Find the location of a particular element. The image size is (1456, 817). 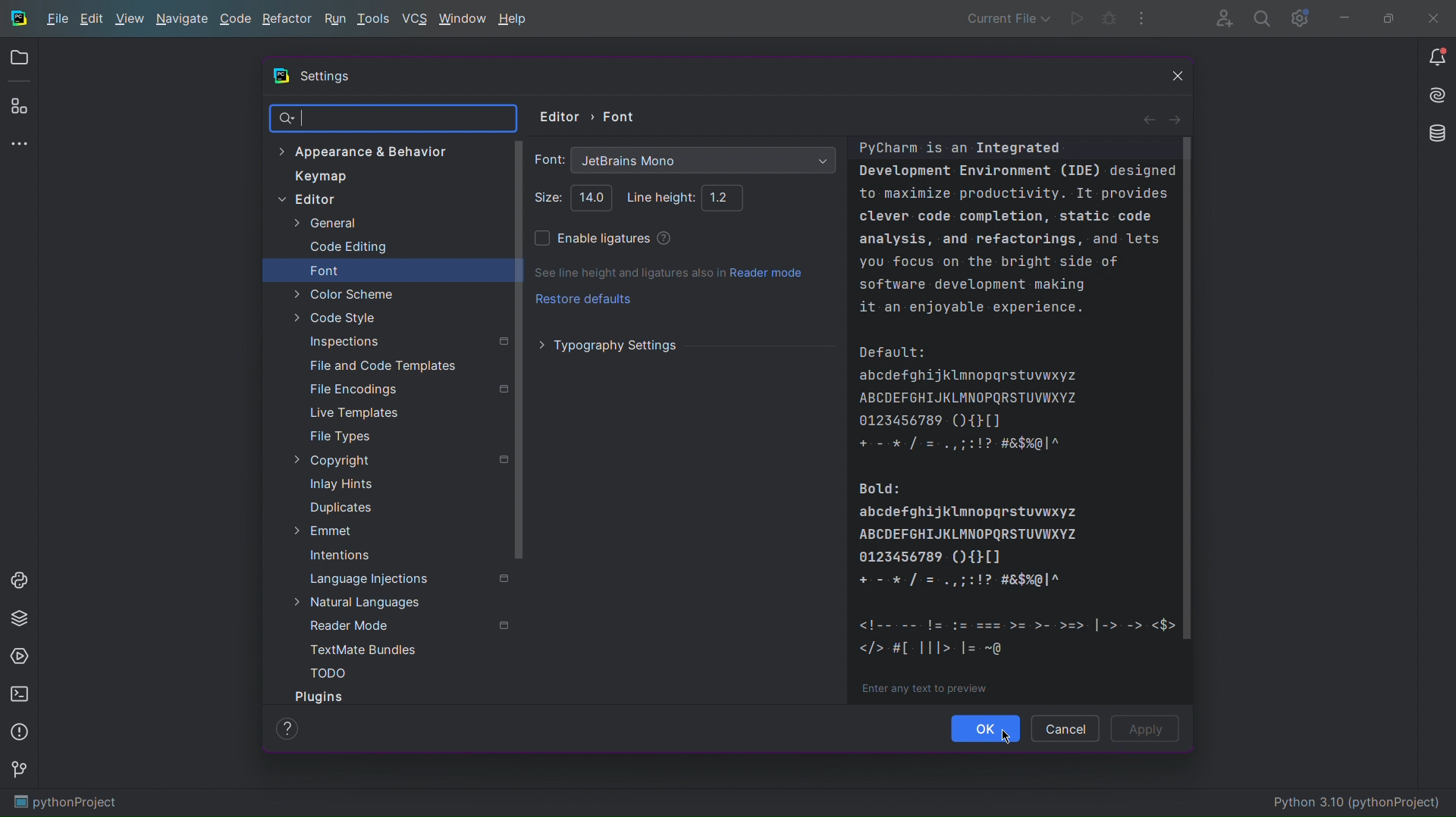

Navigate is located at coordinates (183, 21).